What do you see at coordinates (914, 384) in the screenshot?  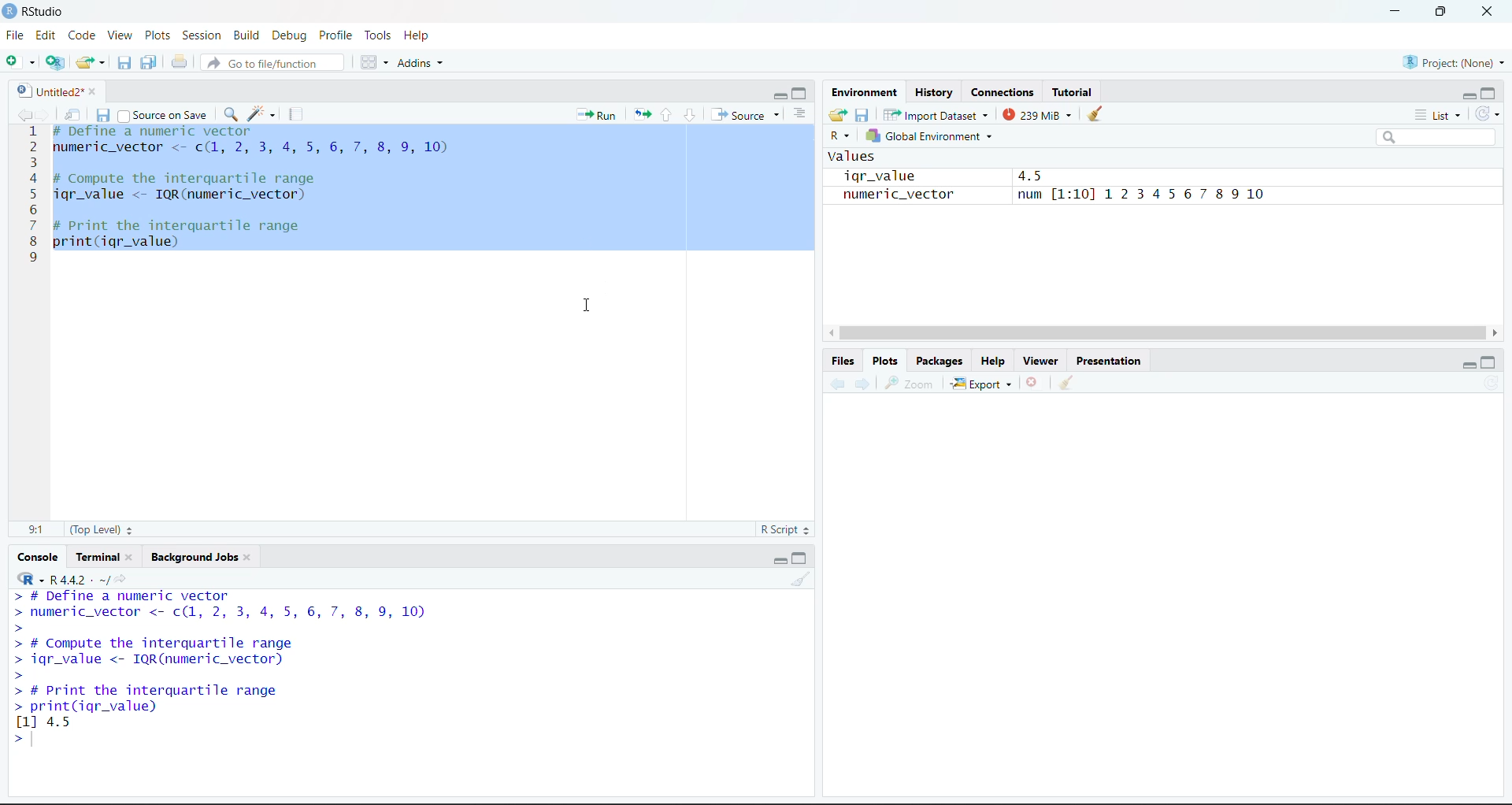 I see `Zoom` at bounding box center [914, 384].